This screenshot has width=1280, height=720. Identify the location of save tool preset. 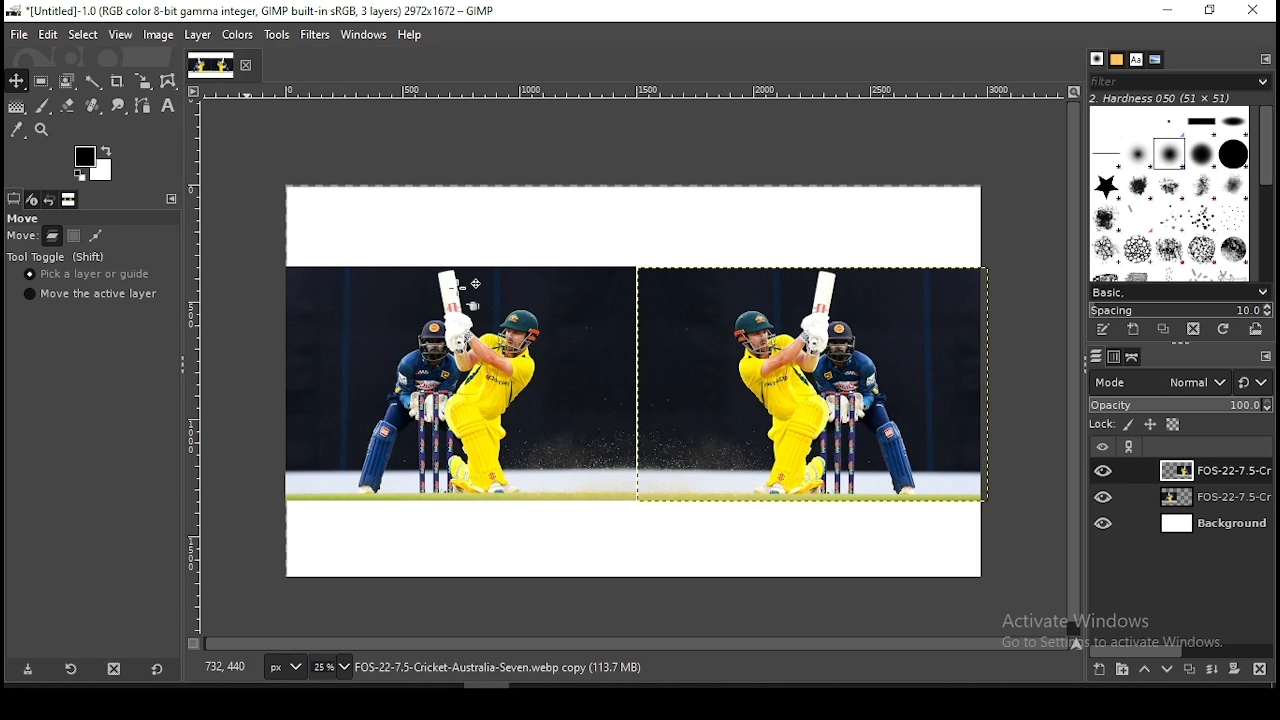
(29, 670).